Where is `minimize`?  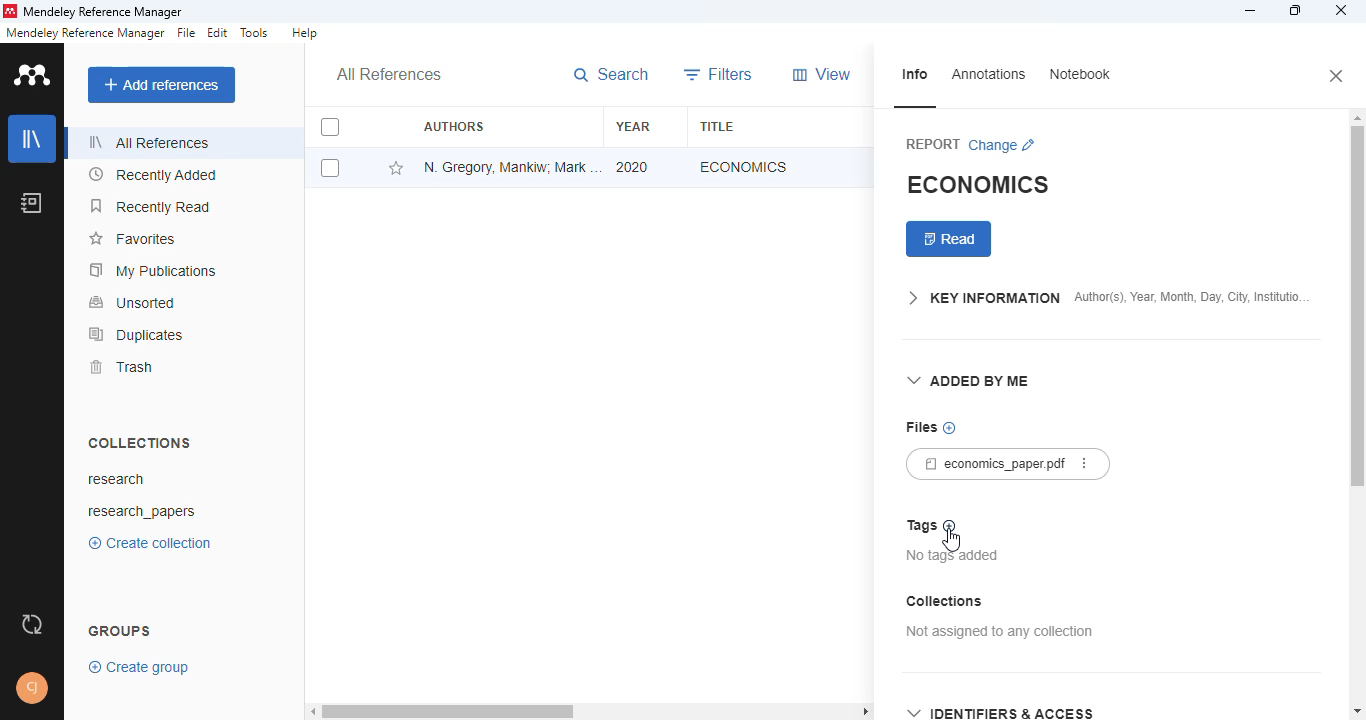
minimize is located at coordinates (1252, 10).